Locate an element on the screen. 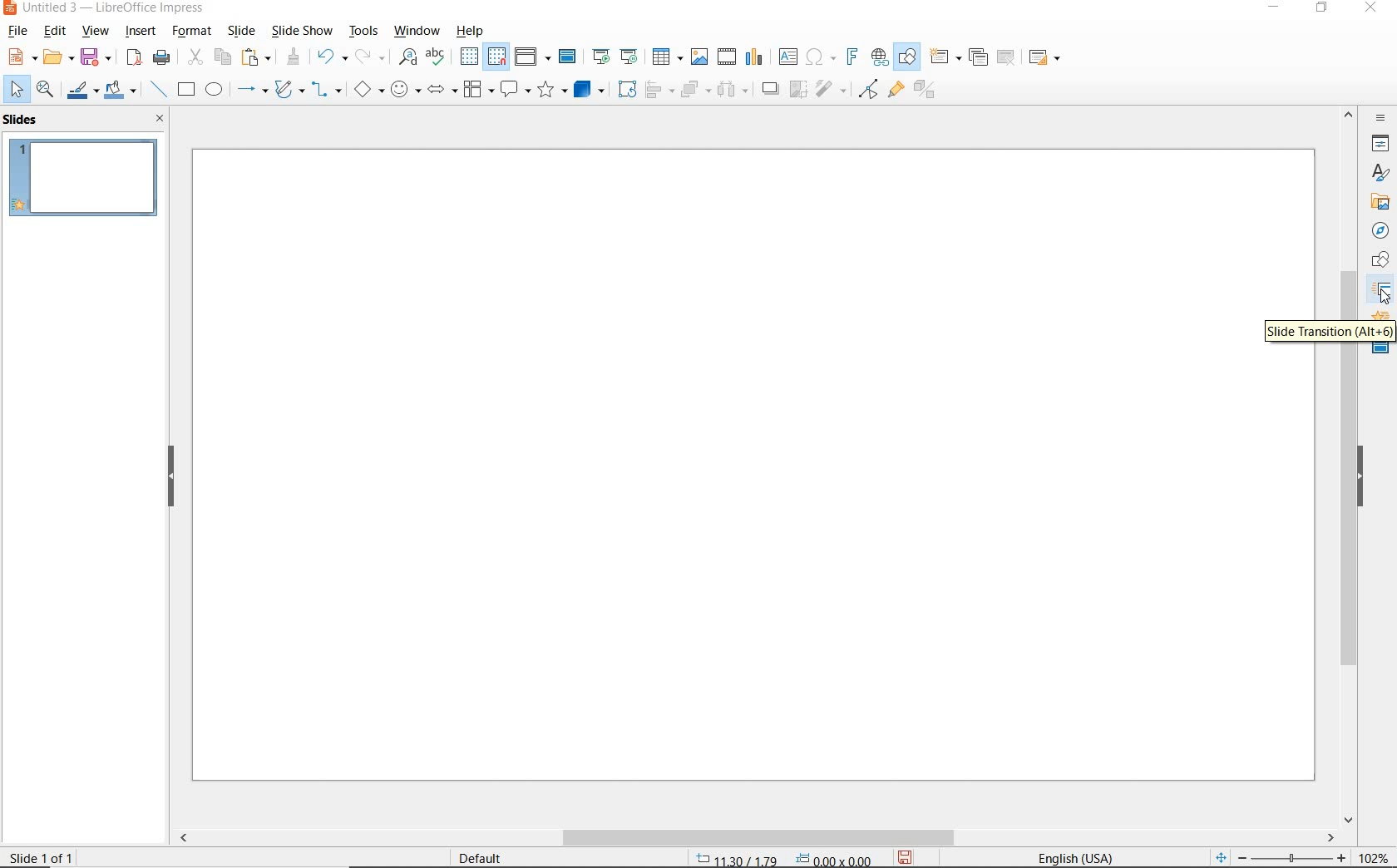 This screenshot has width=1397, height=868. DEFAULT is located at coordinates (484, 856).